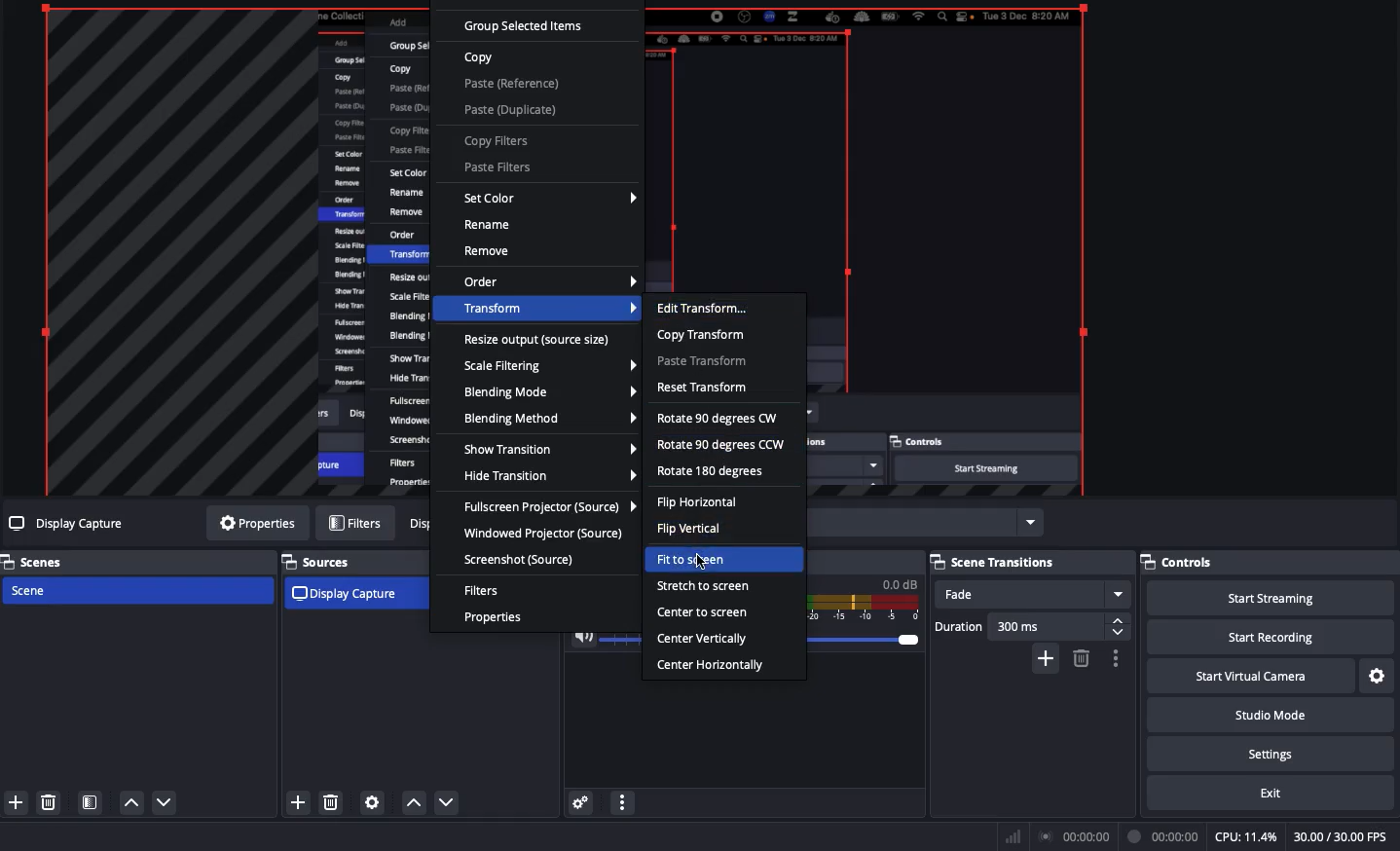 This screenshot has width=1400, height=851. Describe the element at coordinates (164, 804) in the screenshot. I see `Move down` at that location.